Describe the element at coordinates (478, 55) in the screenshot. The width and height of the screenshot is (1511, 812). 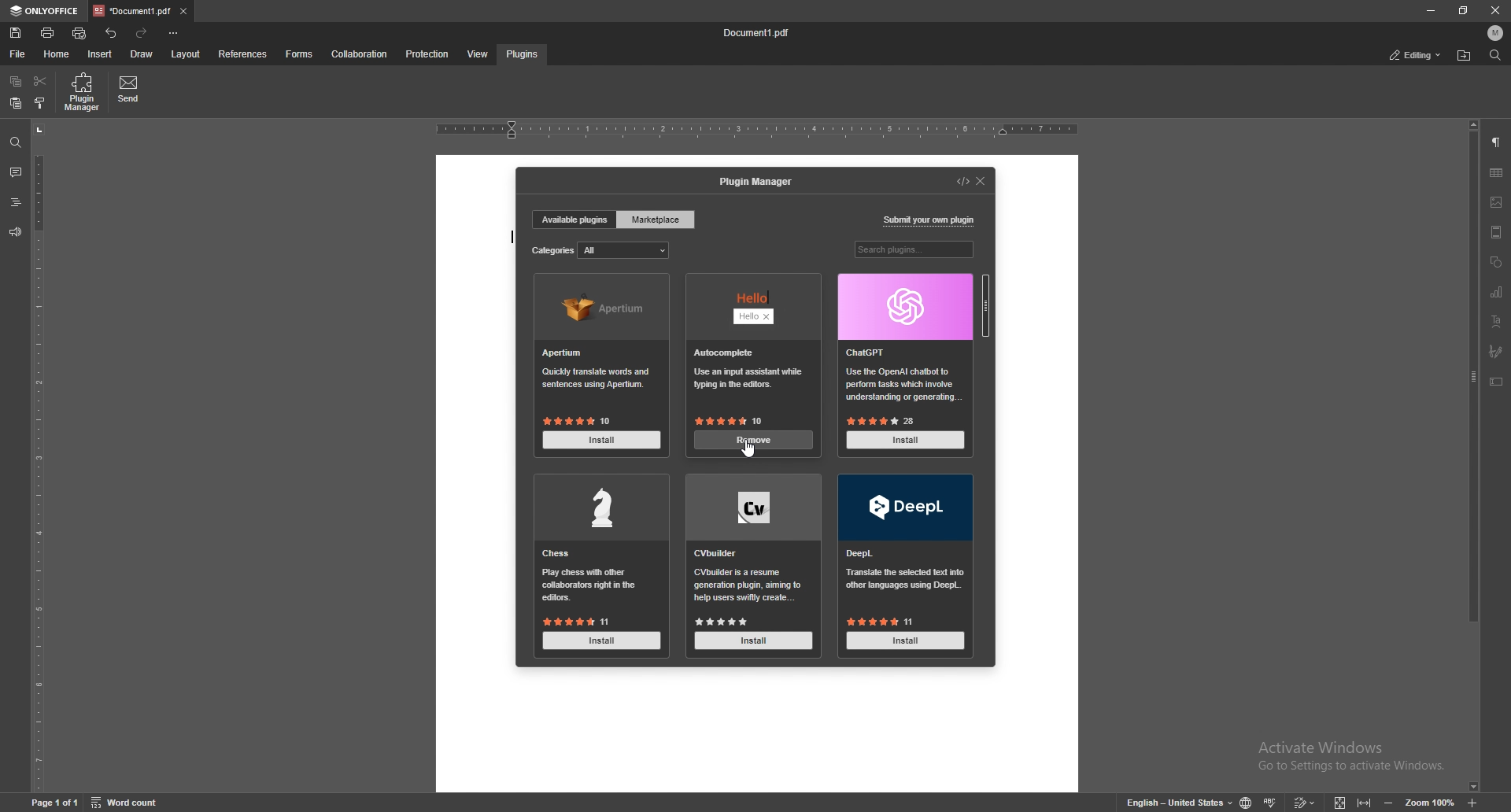
I see `view` at that location.